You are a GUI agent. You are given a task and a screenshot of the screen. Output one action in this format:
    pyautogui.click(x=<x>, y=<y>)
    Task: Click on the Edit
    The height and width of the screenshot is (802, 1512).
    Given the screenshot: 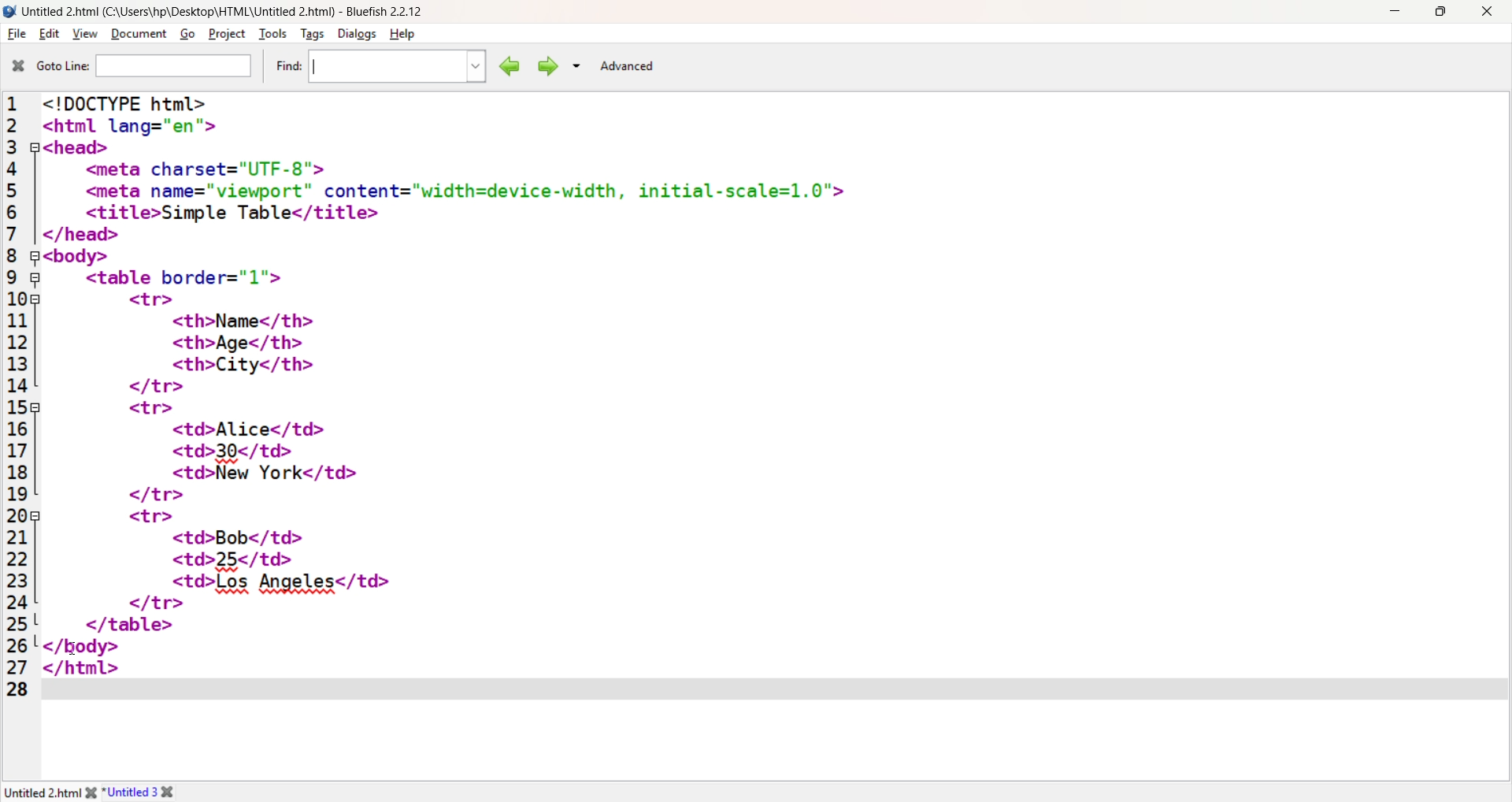 What is the action you would take?
    pyautogui.click(x=46, y=34)
    